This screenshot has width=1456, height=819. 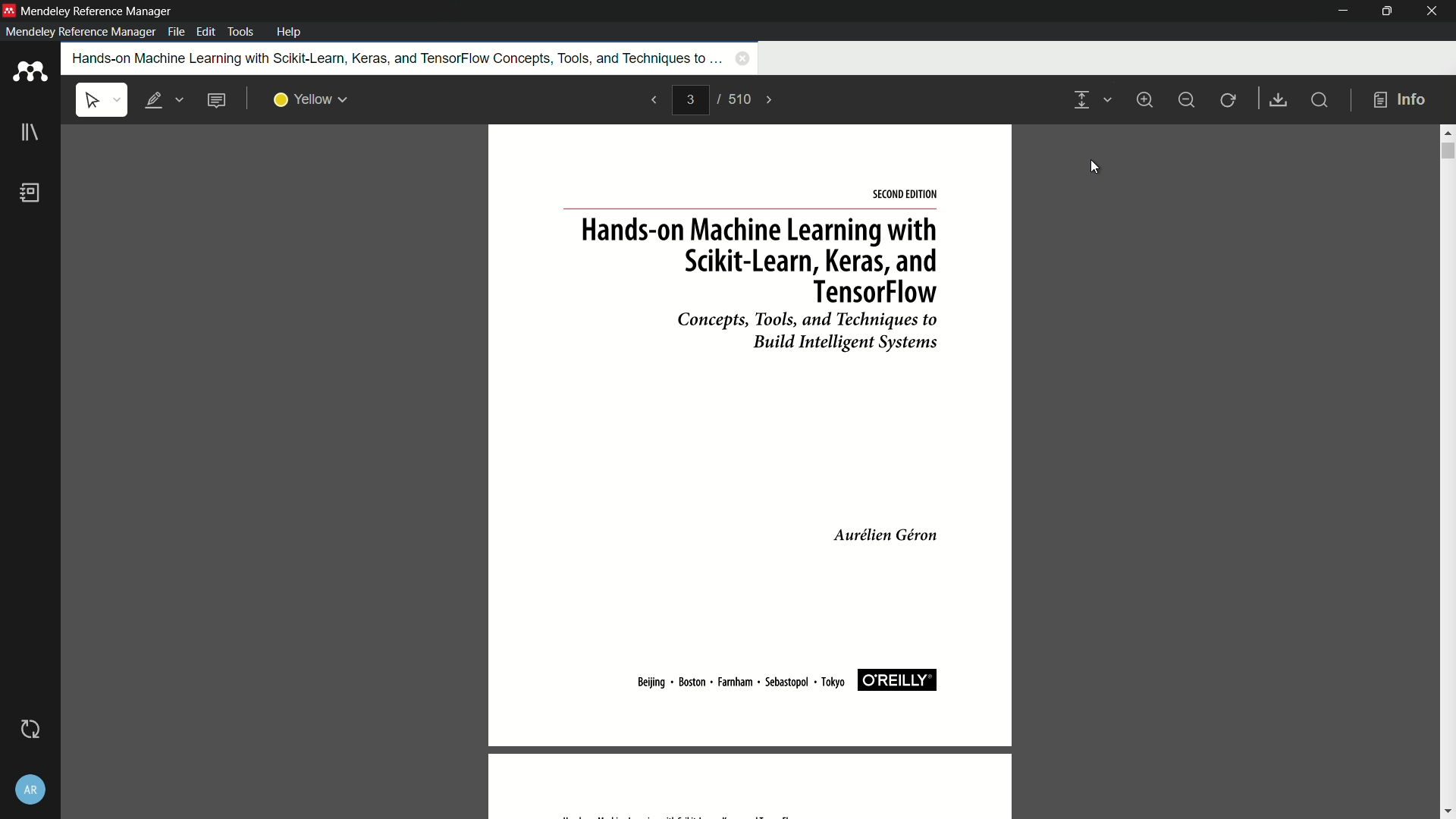 What do you see at coordinates (1386, 11) in the screenshot?
I see `maximize` at bounding box center [1386, 11].